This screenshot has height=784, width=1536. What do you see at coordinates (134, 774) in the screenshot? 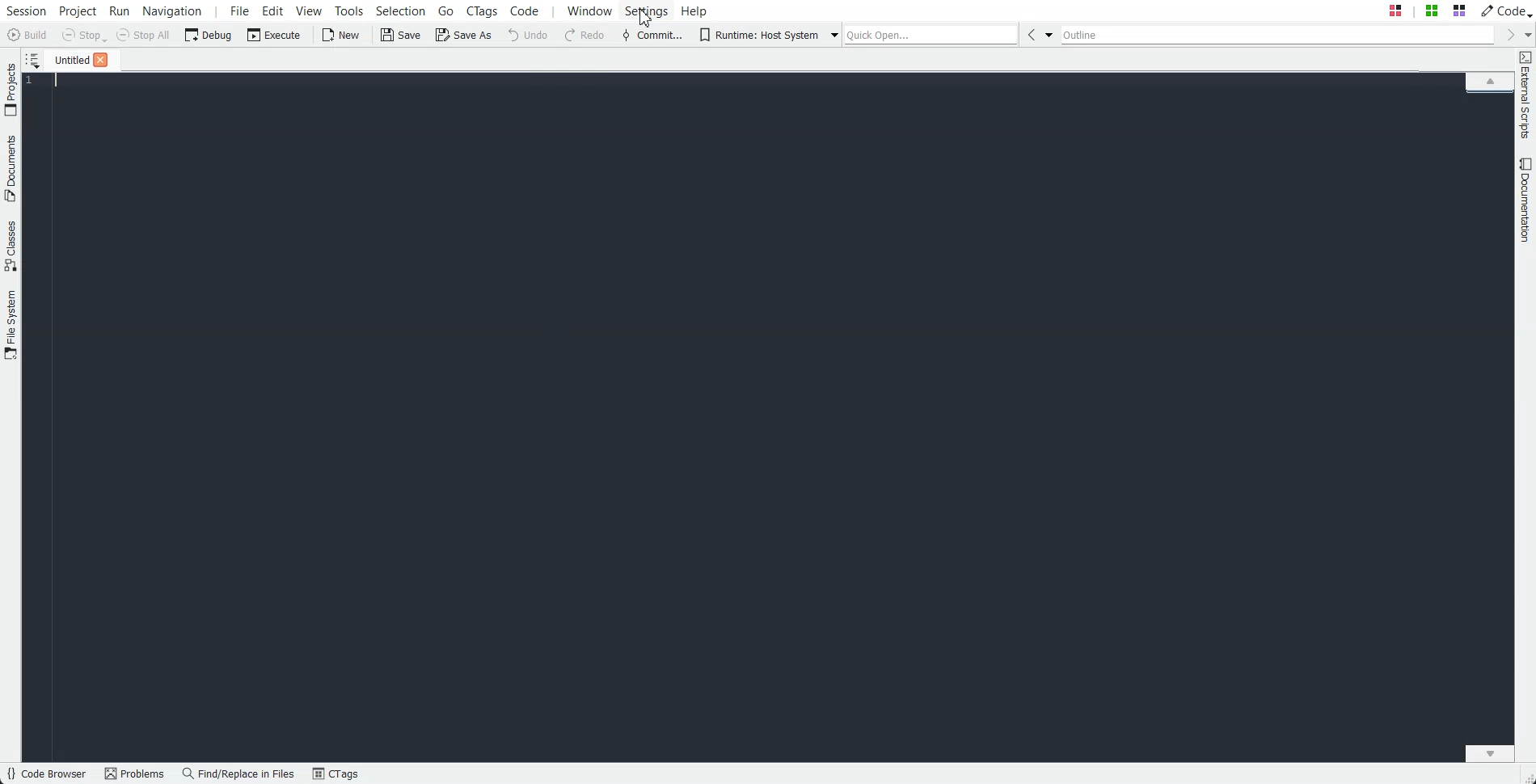
I see `Problems` at bounding box center [134, 774].